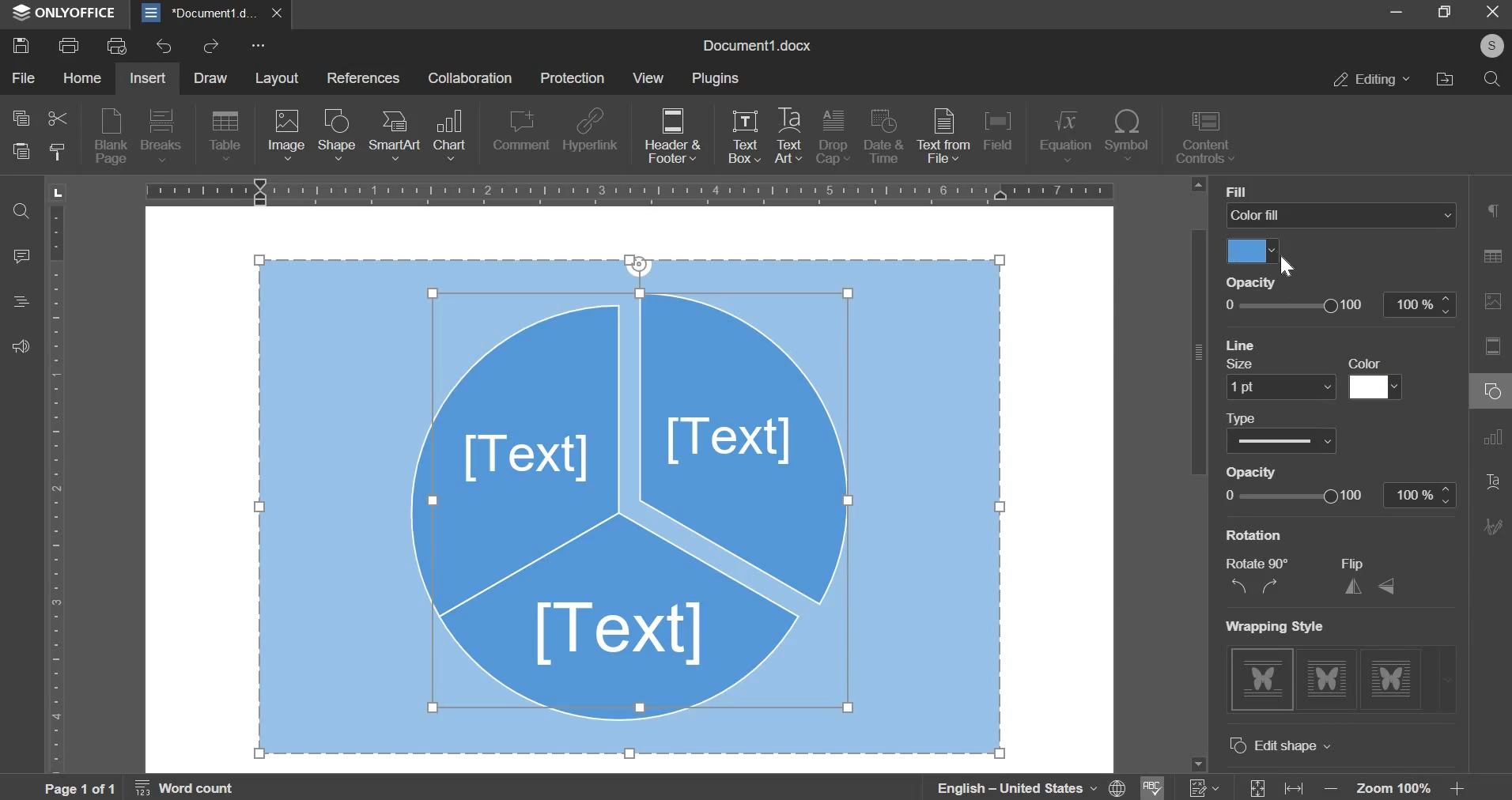 This screenshot has width=1512, height=800. Describe the element at coordinates (217, 77) in the screenshot. I see `draw` at that location.